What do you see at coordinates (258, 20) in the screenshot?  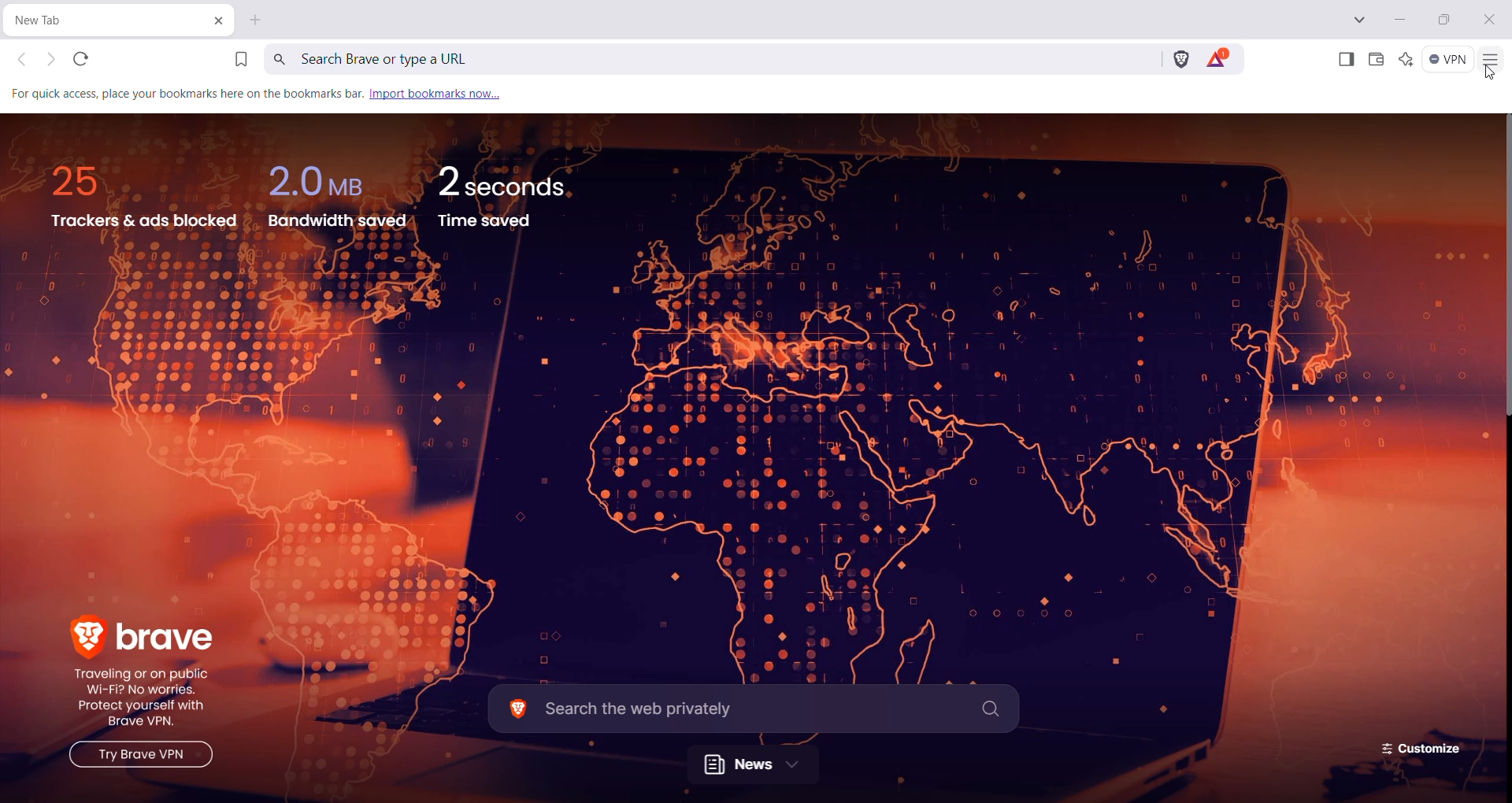 I see `New Tab` at bounding box center [258, 20].